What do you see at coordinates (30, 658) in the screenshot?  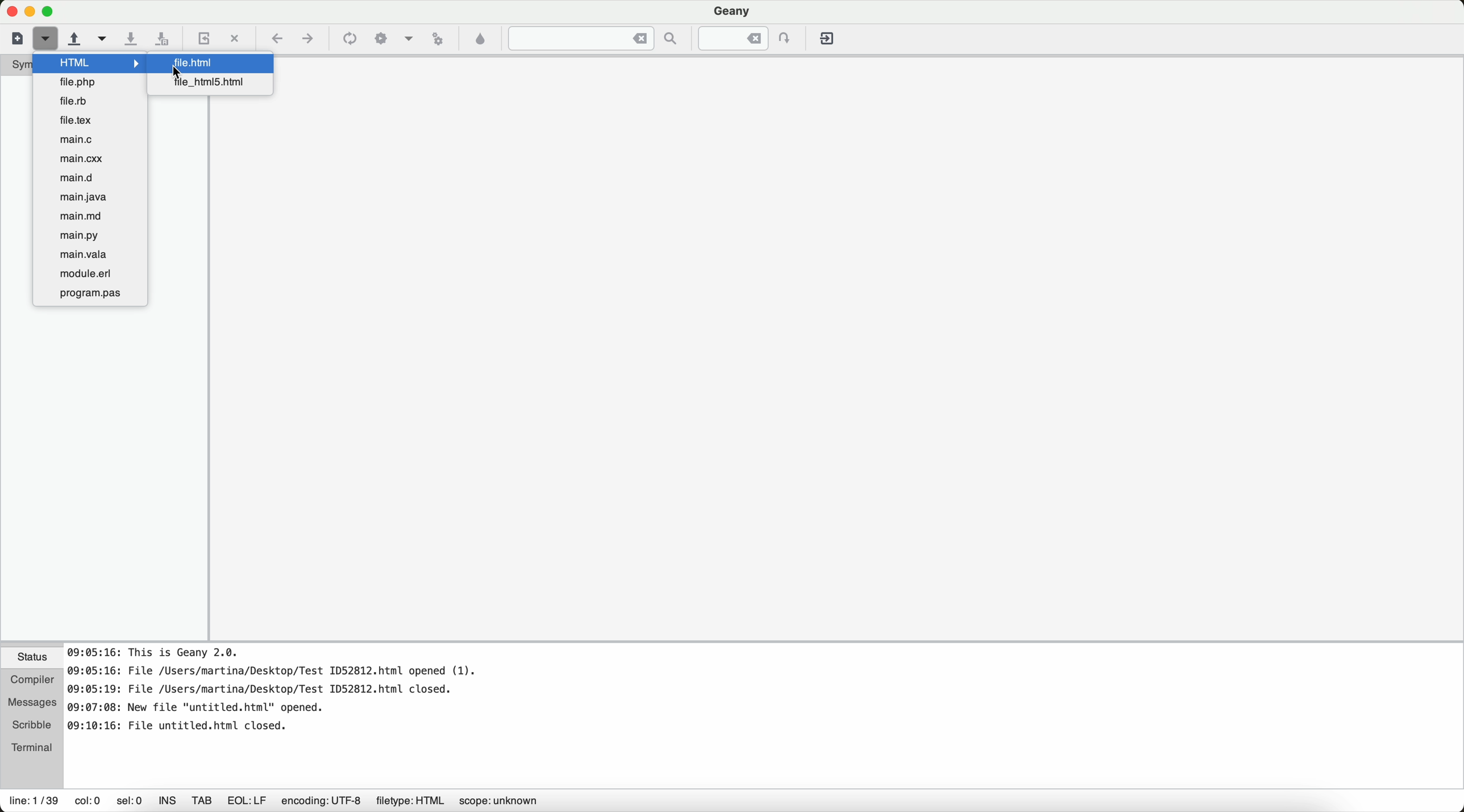 I see `status` at bounding box center [30, 658].